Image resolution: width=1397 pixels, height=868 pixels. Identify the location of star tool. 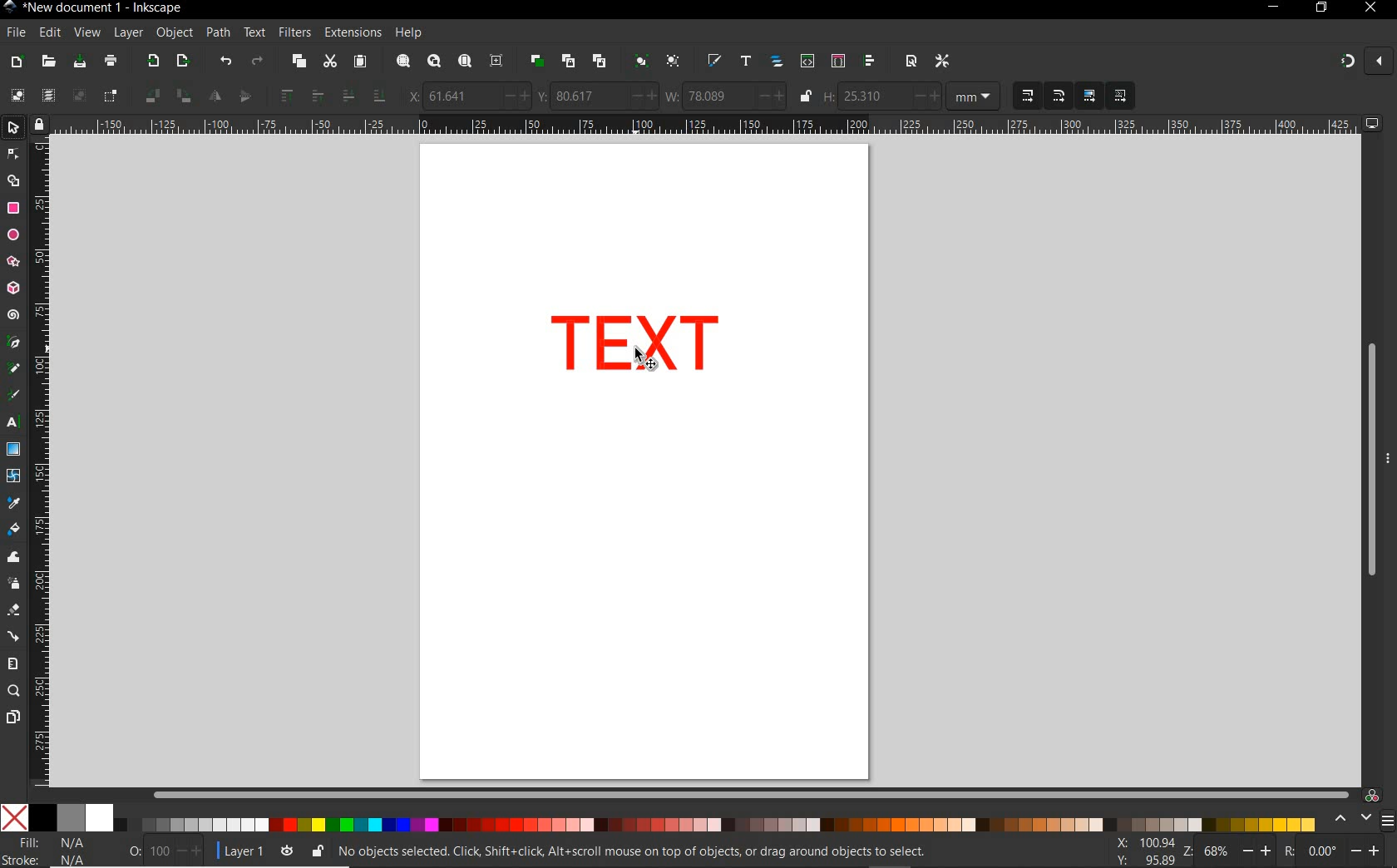
(13, 262).